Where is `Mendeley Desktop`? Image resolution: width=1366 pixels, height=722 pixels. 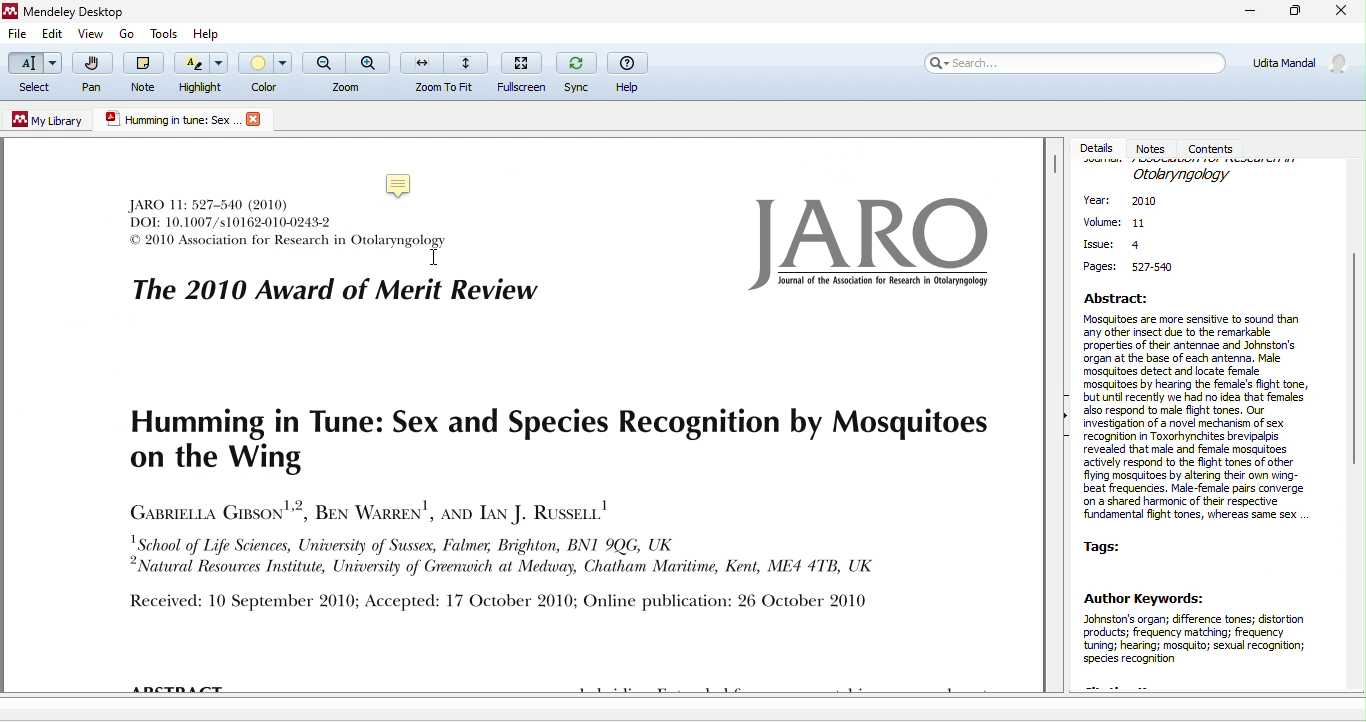 Mendeley Desktop is located at coordinates (81, 12).